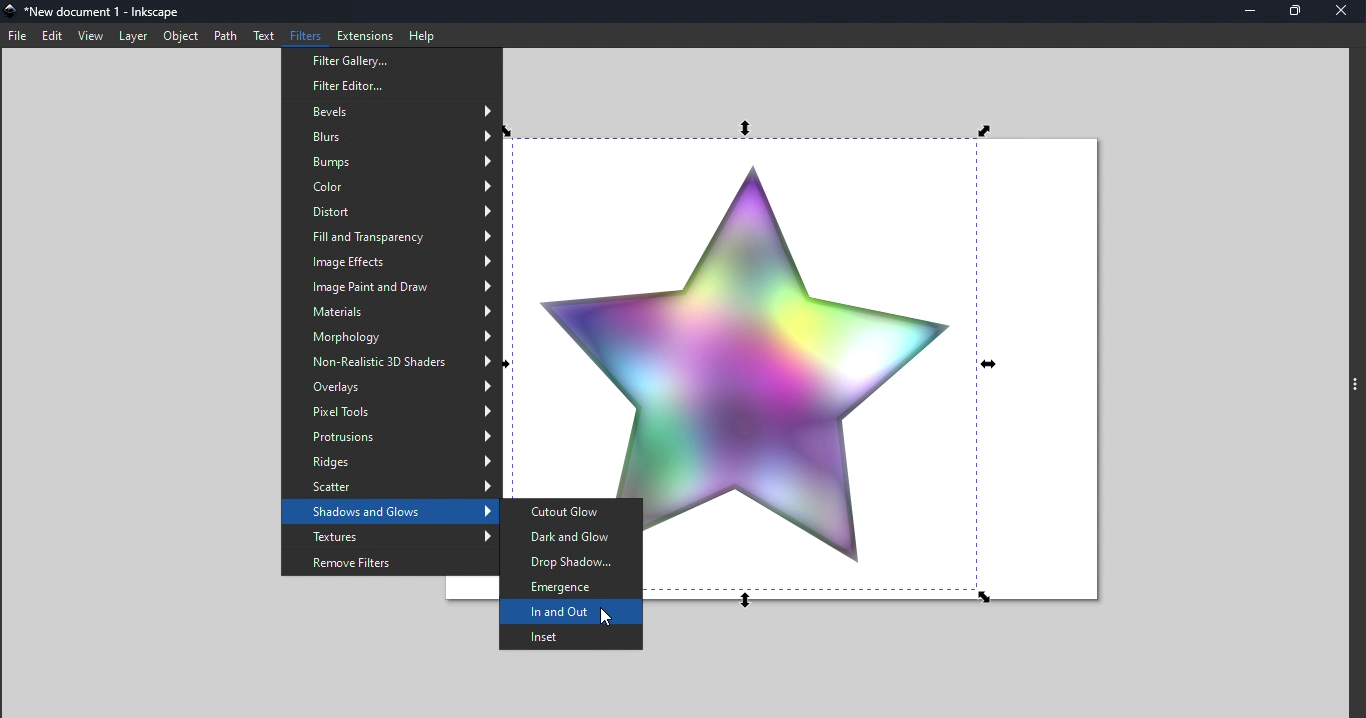  What do you see at coordinates (393, 512) in the screenshot?
I see `Shadows and Glows` at bounding box center [393, 512].